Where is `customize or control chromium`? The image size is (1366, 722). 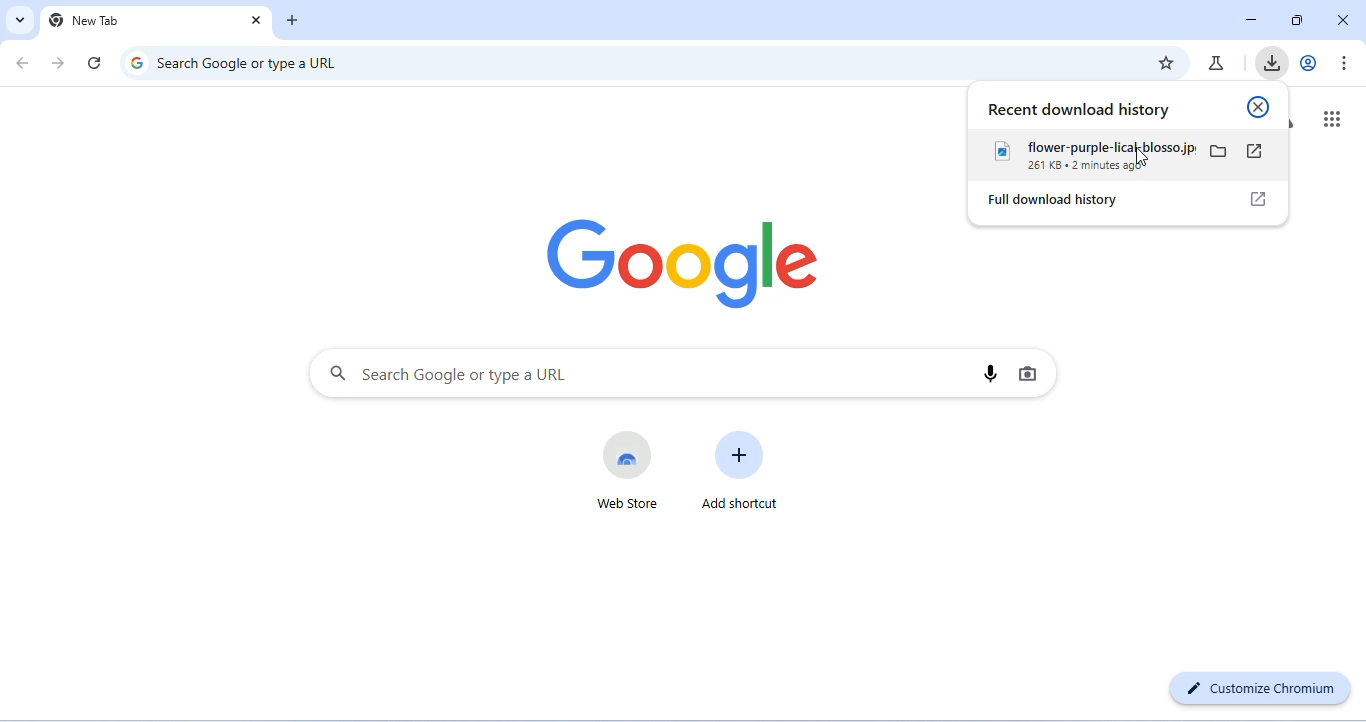 customize or control chromium is located at coordinates (1343, 61).